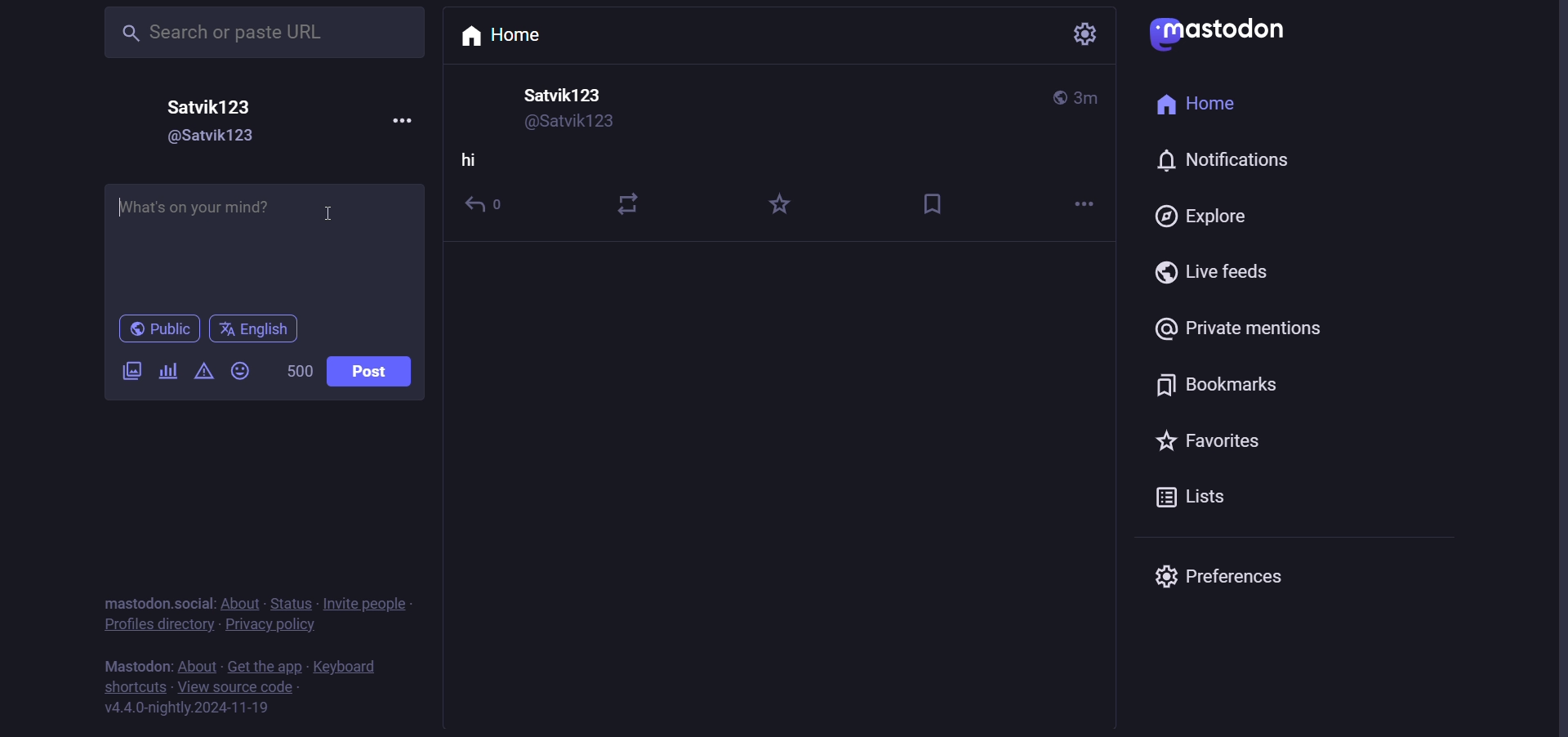 Image resolution: width=1568 pixels, height=737 pixels. I want to click on home, so click(1196, 105).